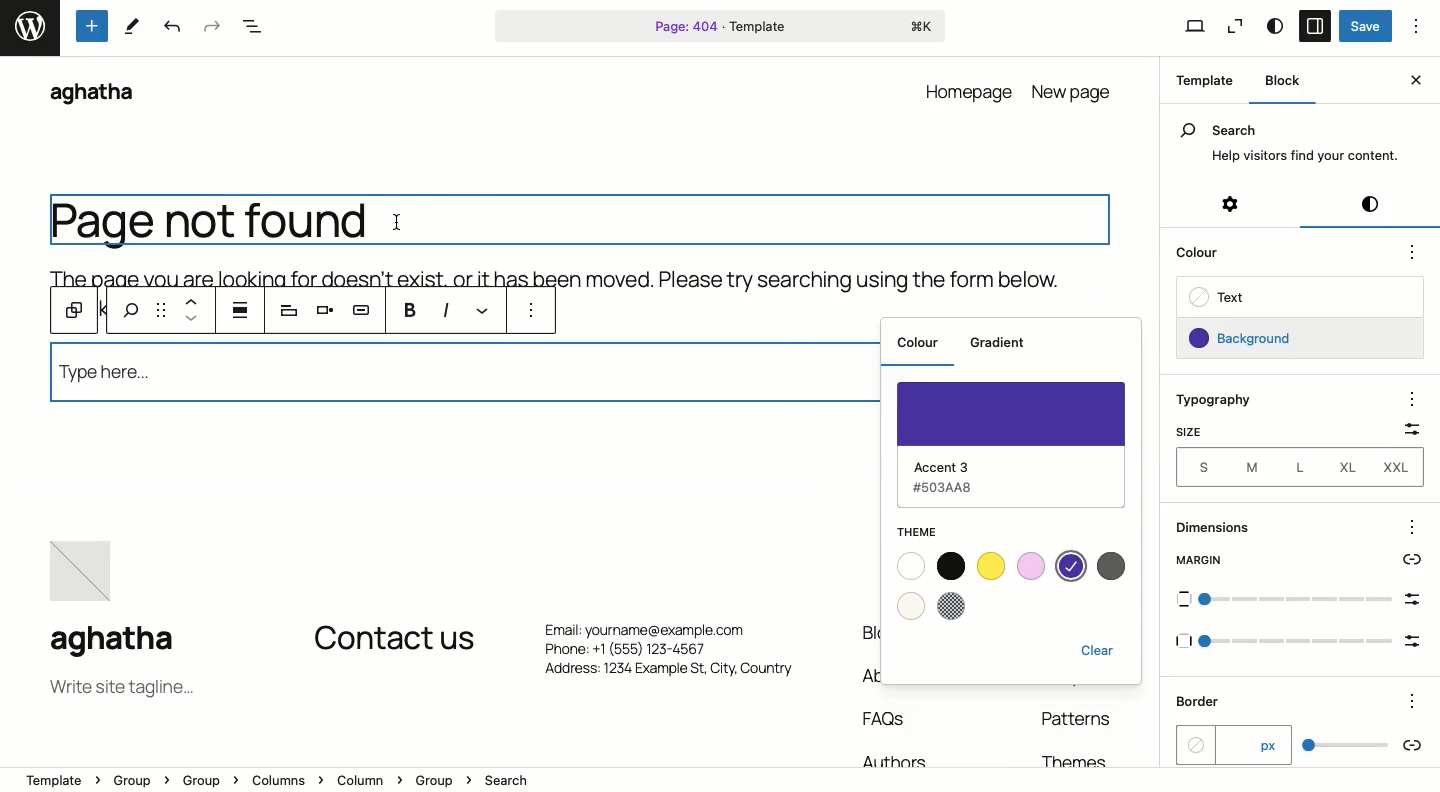  I want to click on Text, so click(1215, 296).